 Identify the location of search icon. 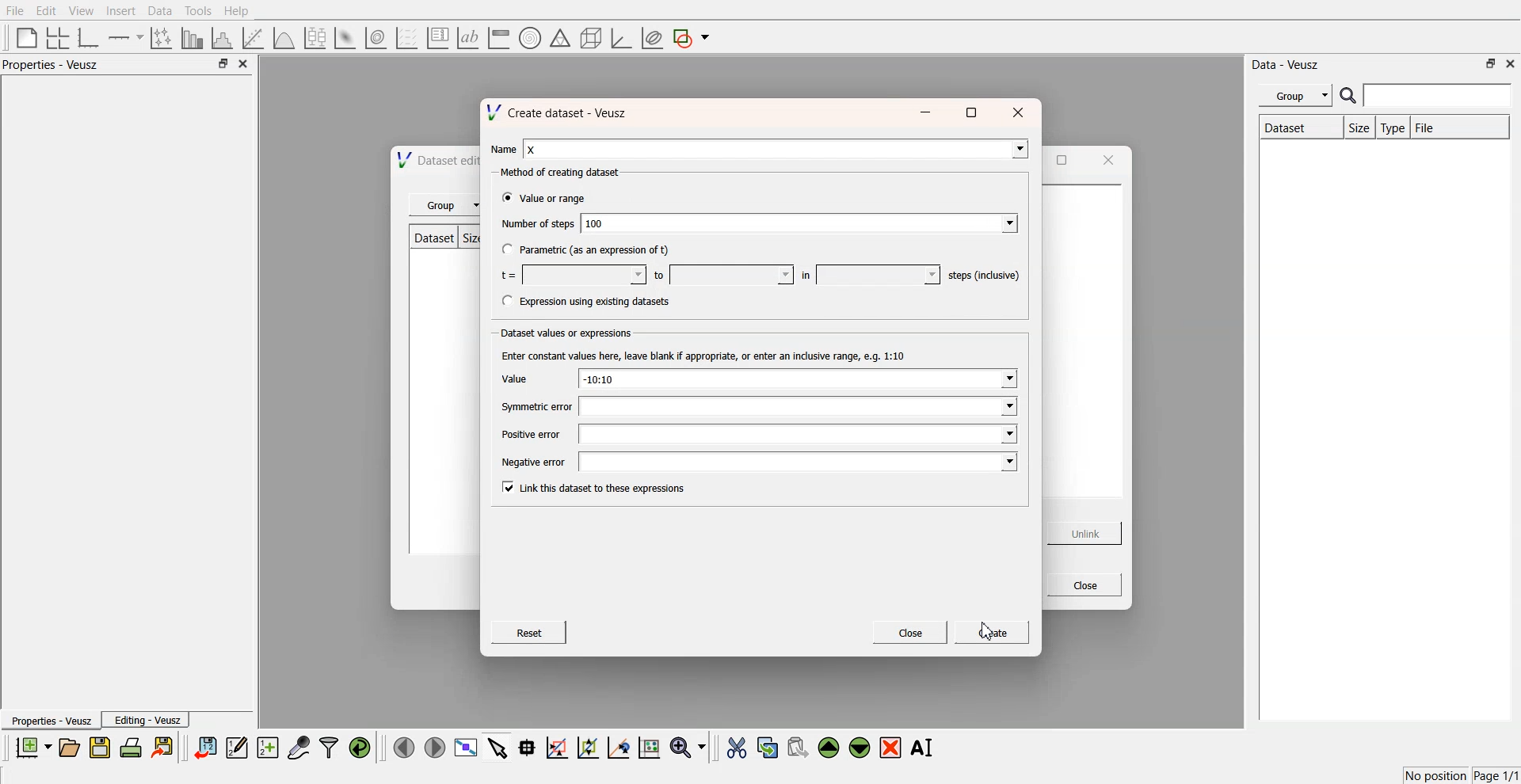
(1350, 95).